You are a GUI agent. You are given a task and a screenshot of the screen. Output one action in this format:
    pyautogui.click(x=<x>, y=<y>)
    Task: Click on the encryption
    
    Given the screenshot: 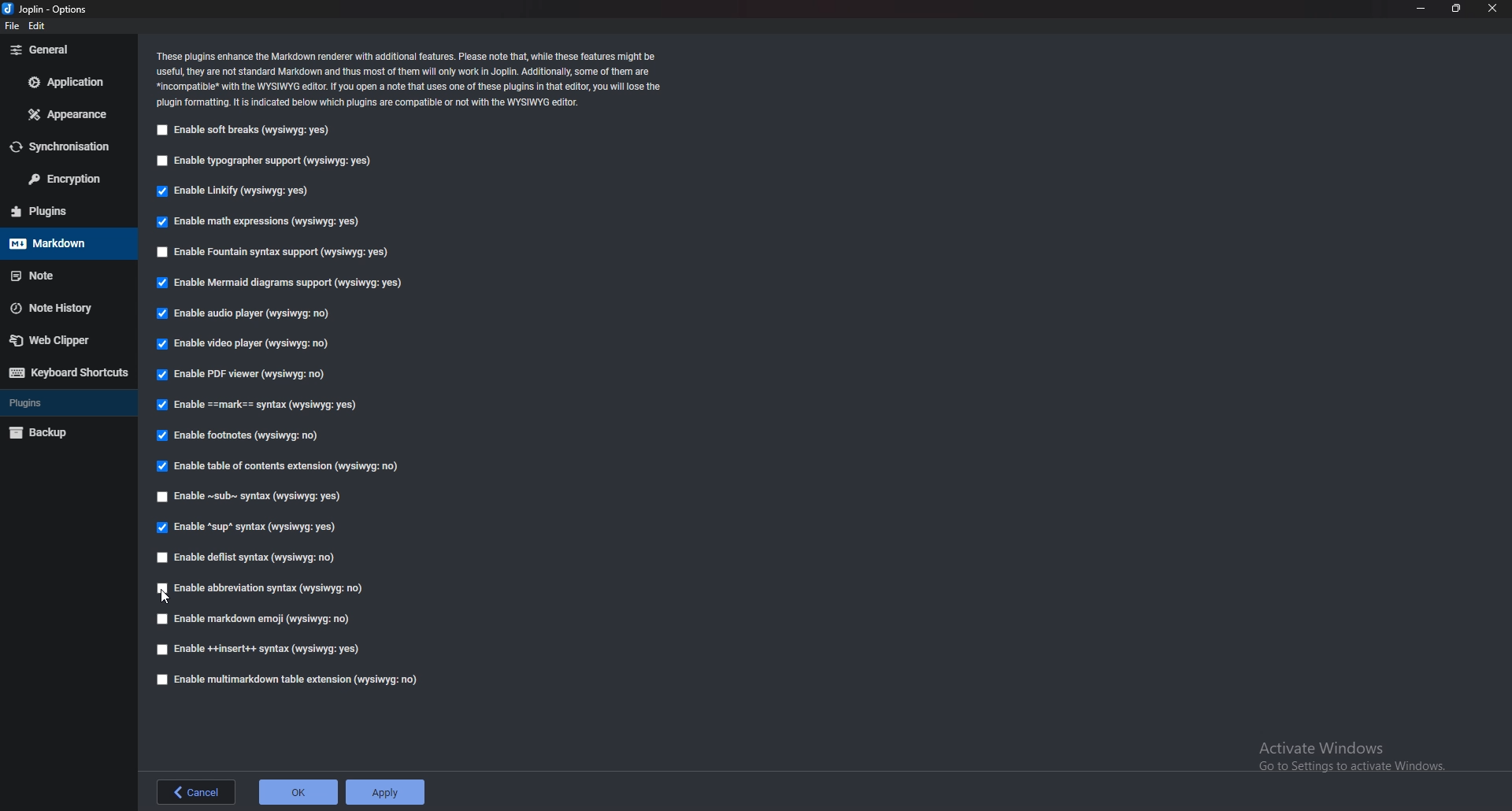 What is the action you would take?
    pyautogui.click(x=63, y=178)
    